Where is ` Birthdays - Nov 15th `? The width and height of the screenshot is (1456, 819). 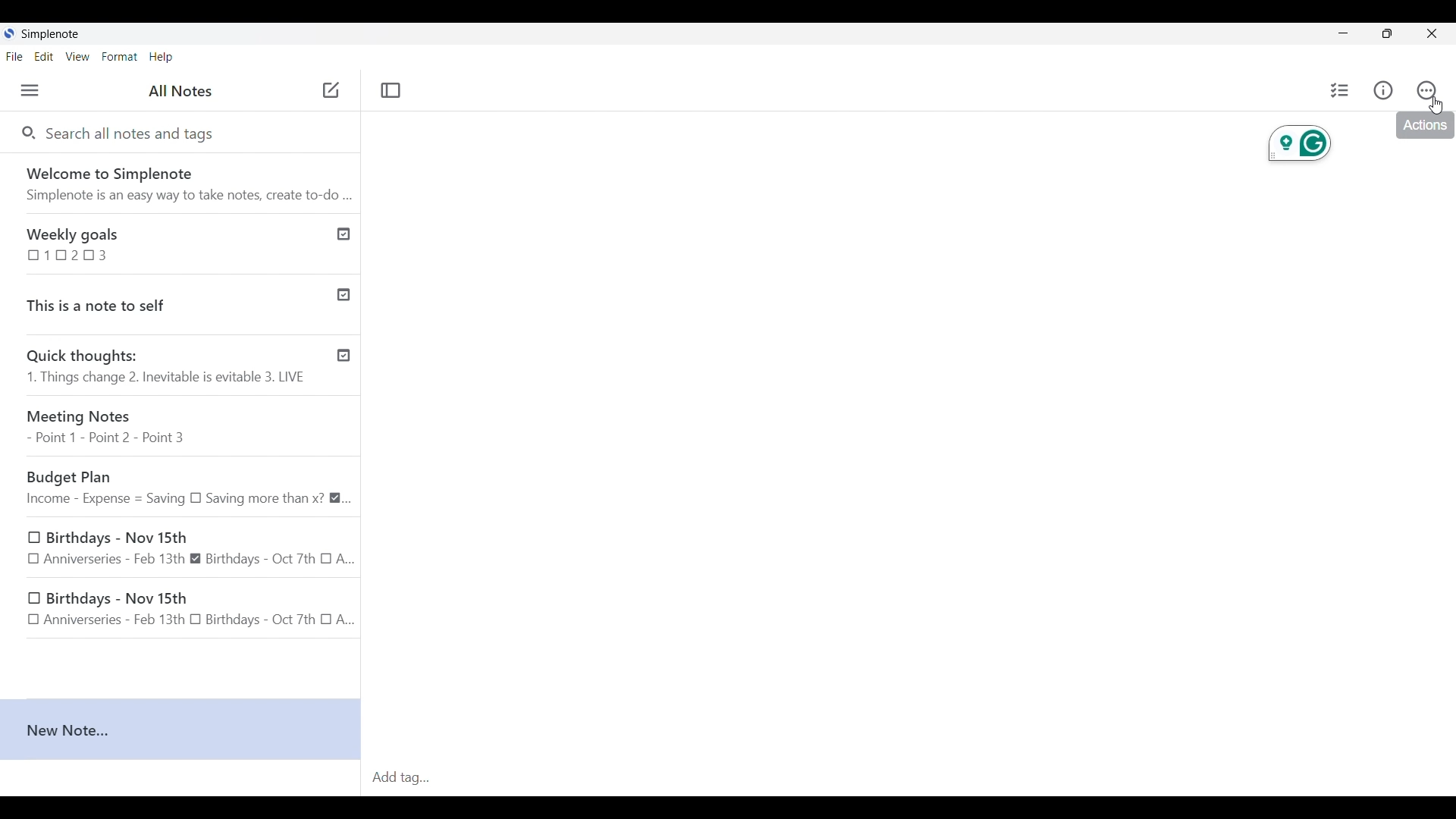  Birthdays - Nov 15th  is located at coordinates (190, 548).